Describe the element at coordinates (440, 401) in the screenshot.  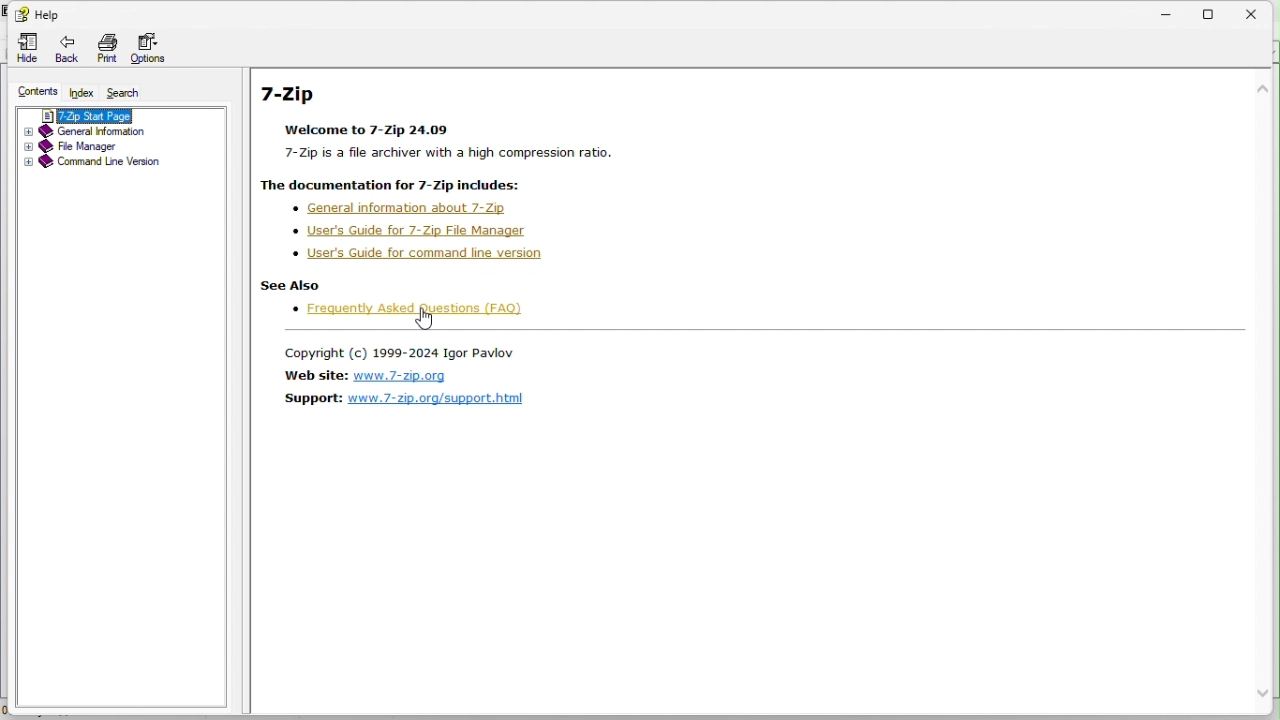
I see `www.7-zip.org/support.html` at that location.